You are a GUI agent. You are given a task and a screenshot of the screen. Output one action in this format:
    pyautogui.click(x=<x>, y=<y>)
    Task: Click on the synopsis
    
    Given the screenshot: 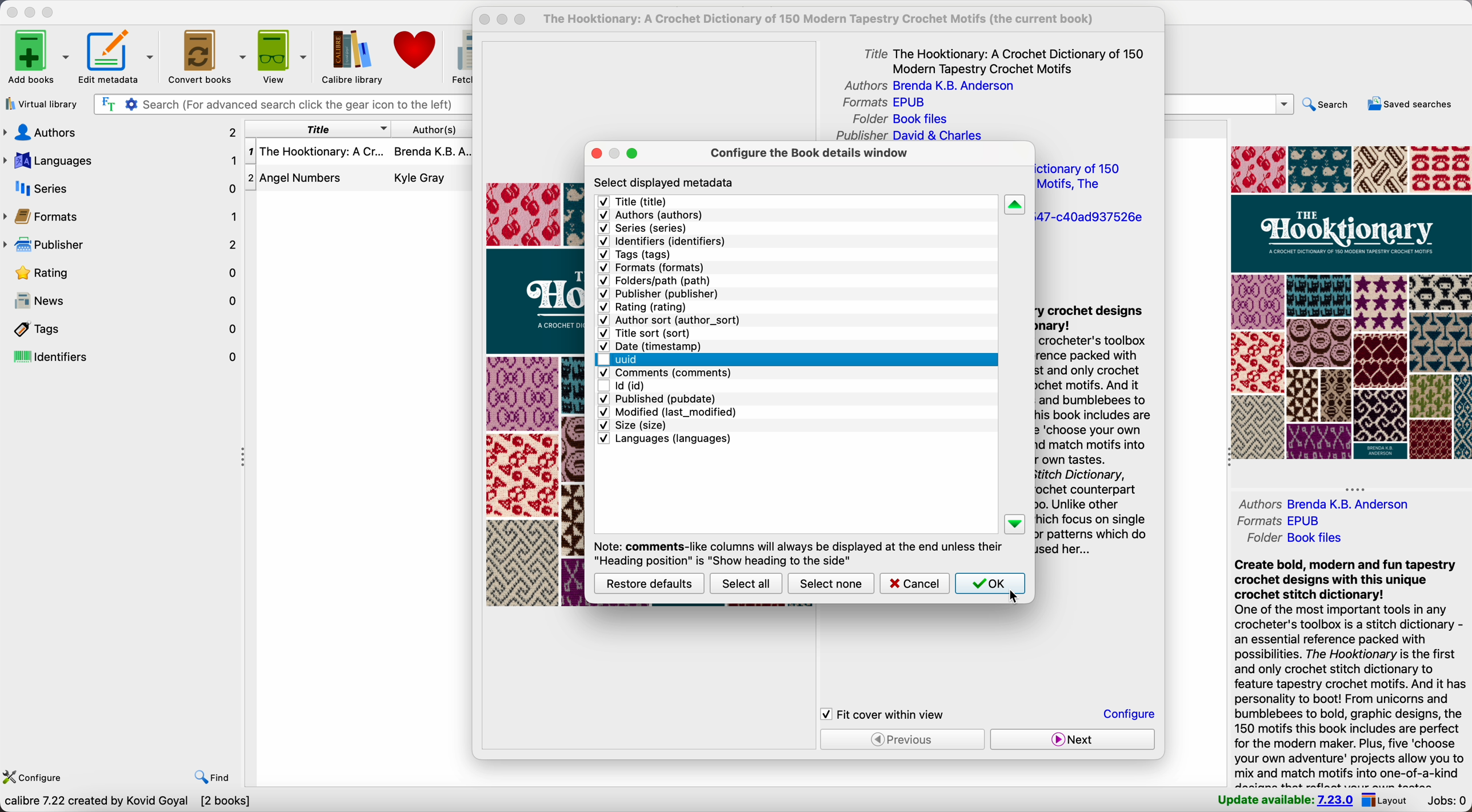 What is the action you would take?
    pyautogui.click(x=1094, y=433)
    